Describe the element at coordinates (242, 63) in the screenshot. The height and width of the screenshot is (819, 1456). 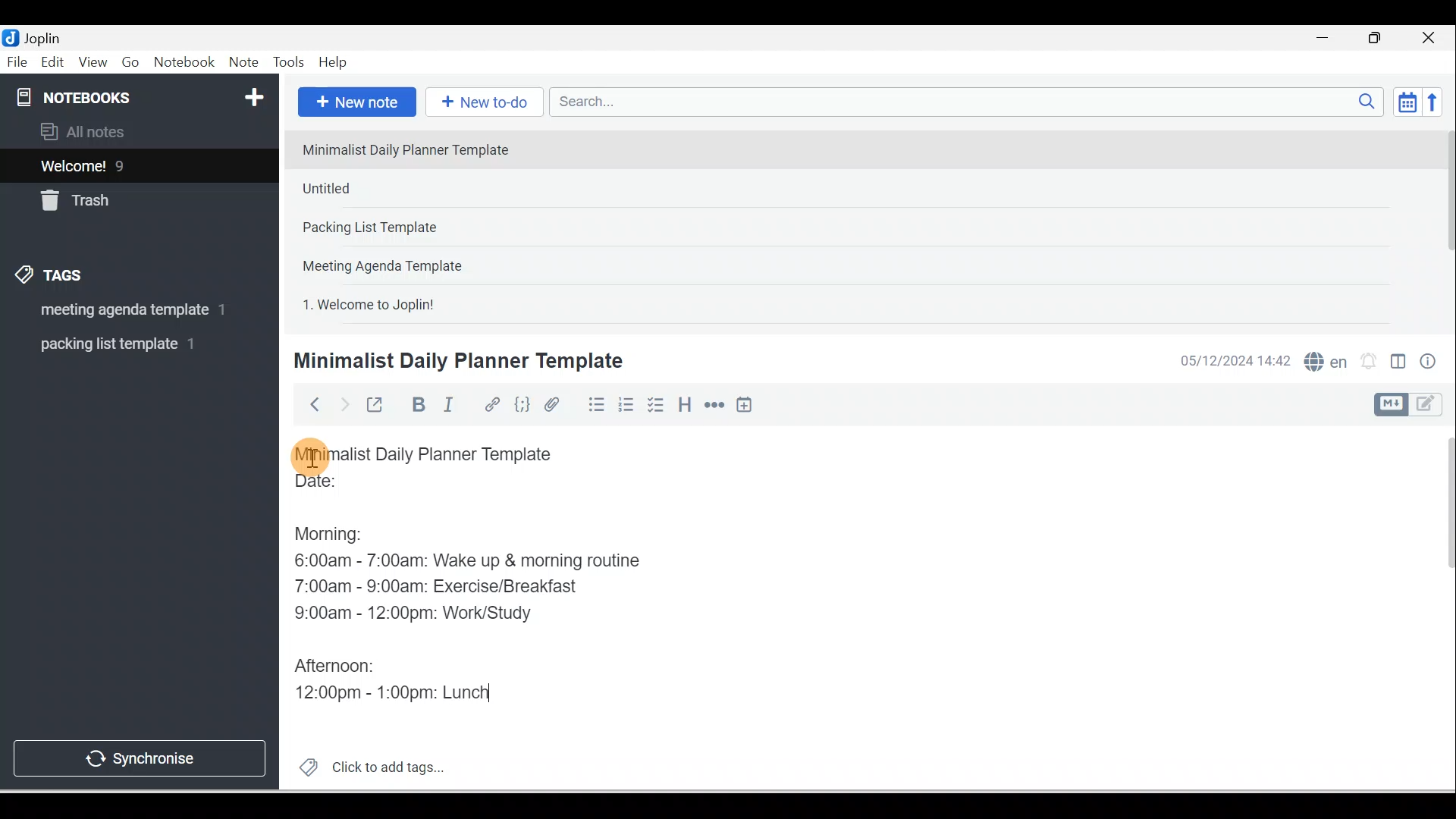
I see `Note` at that location.